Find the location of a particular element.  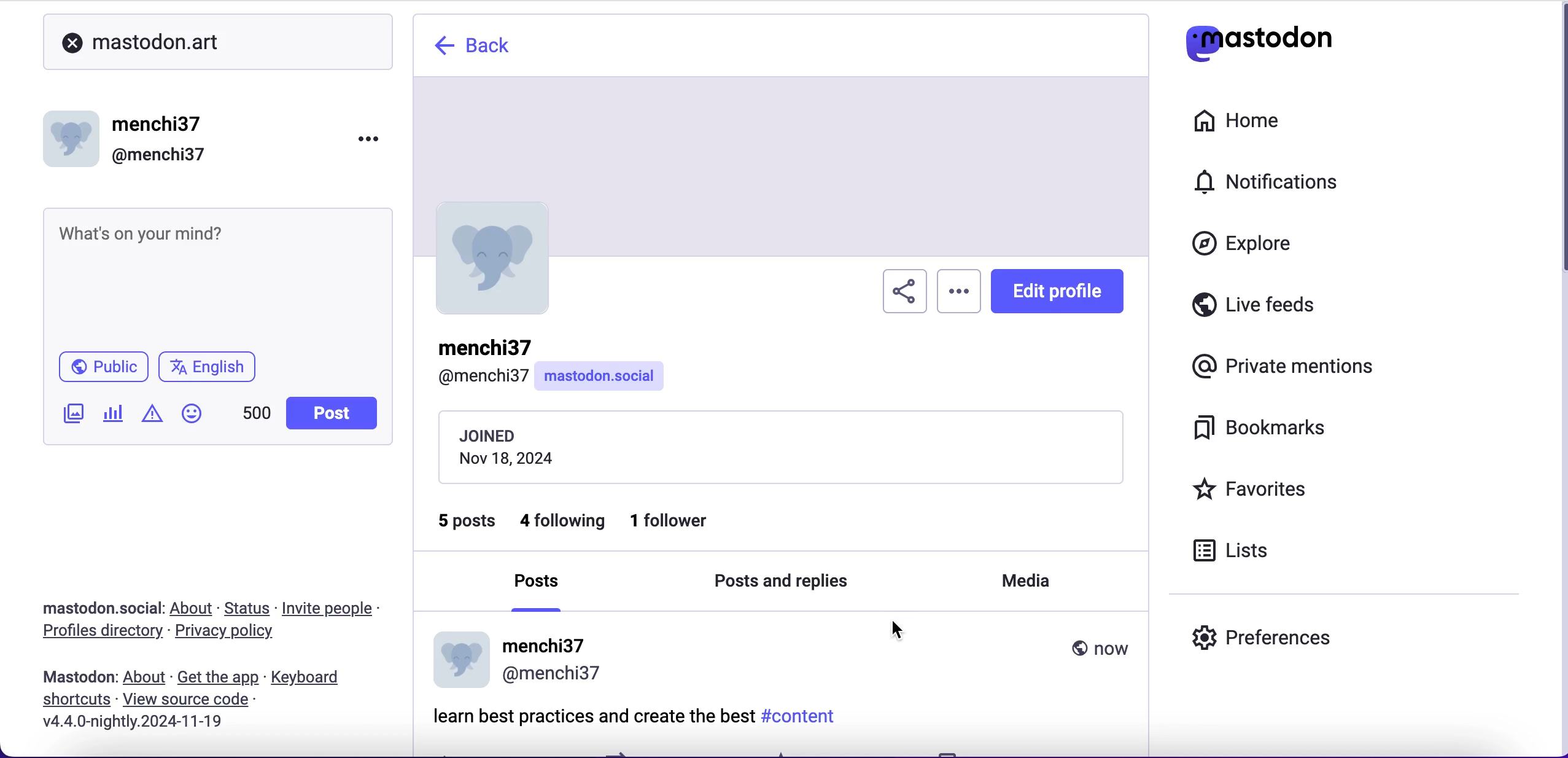

status is located at coordinates (248, 608).